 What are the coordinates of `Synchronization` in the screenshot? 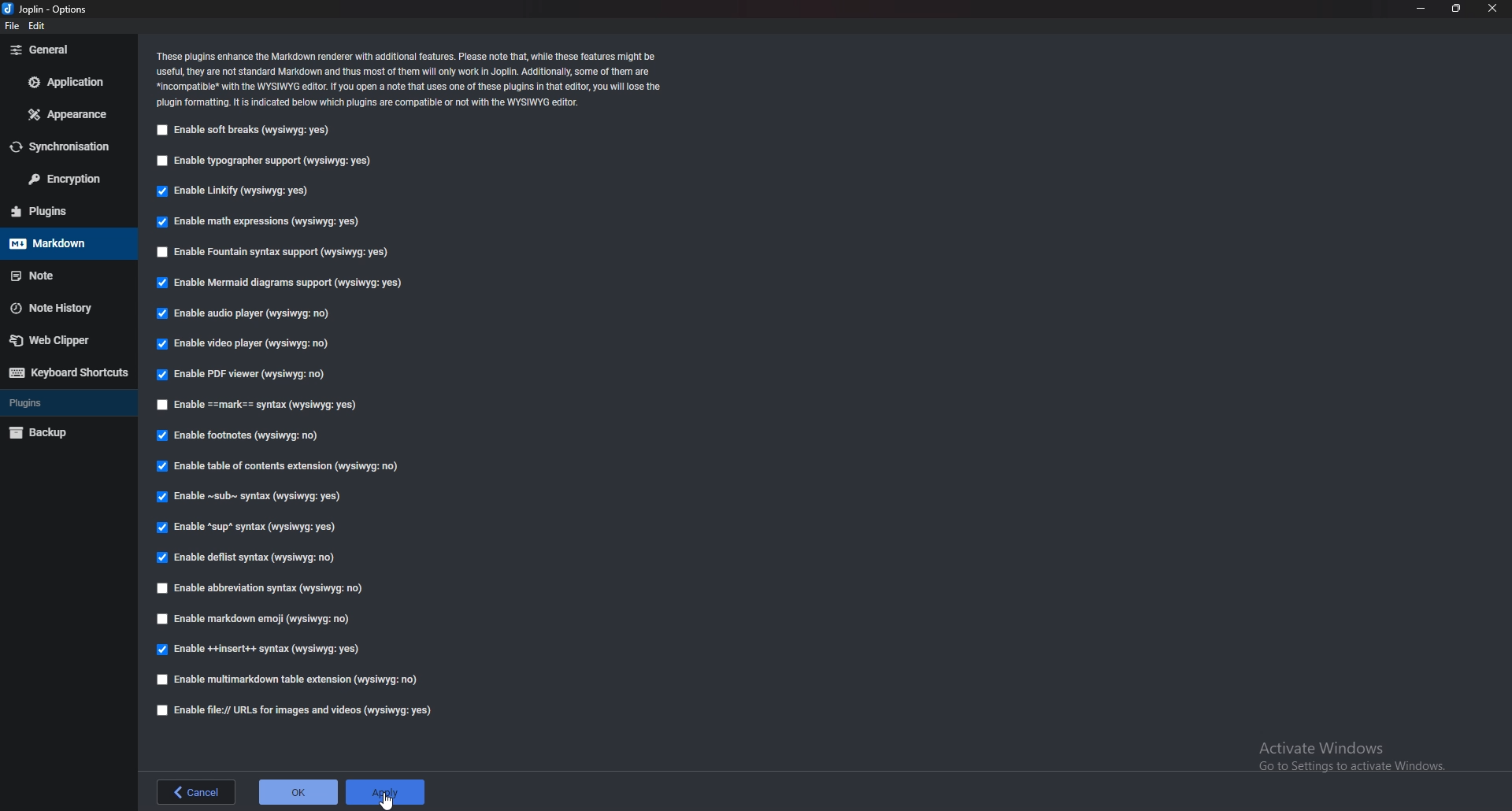 It's located at (67, 146).